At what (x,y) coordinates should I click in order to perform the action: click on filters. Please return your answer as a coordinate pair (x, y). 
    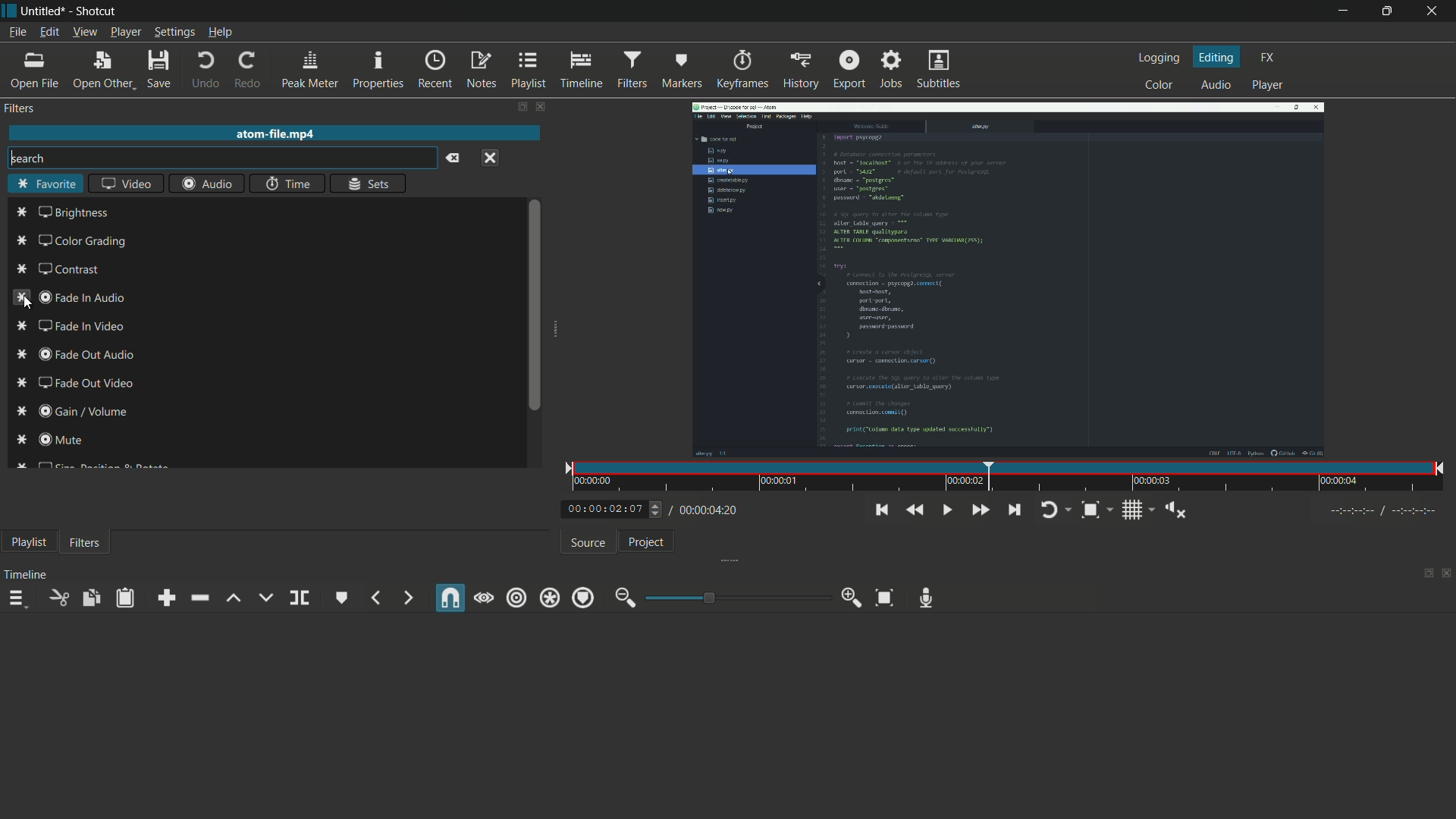
    Looking at the image, I should click on (632, 71).